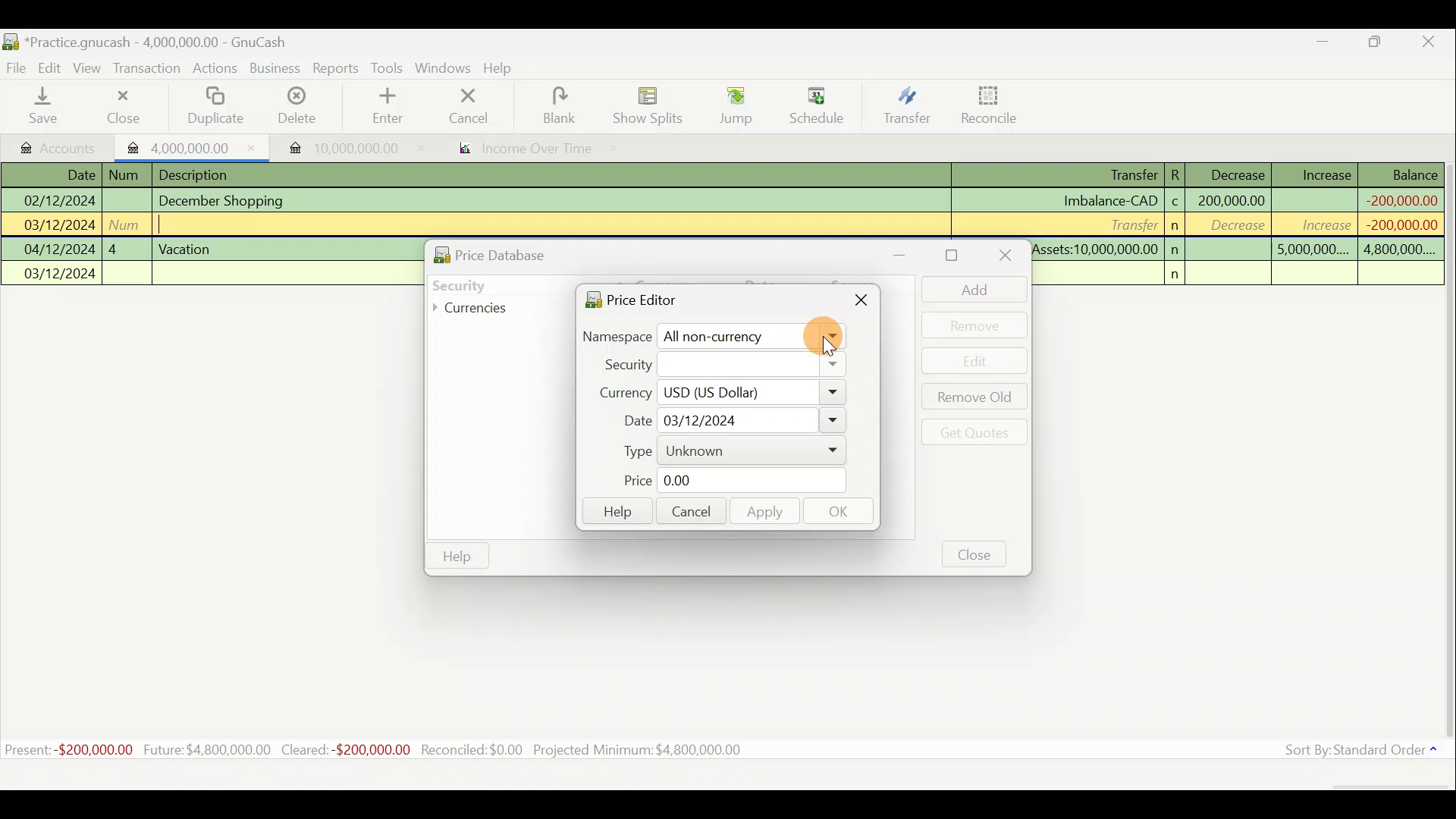 The height and width of the screenshot is (819, 1456). I want to click on enter, so click(393, 107).